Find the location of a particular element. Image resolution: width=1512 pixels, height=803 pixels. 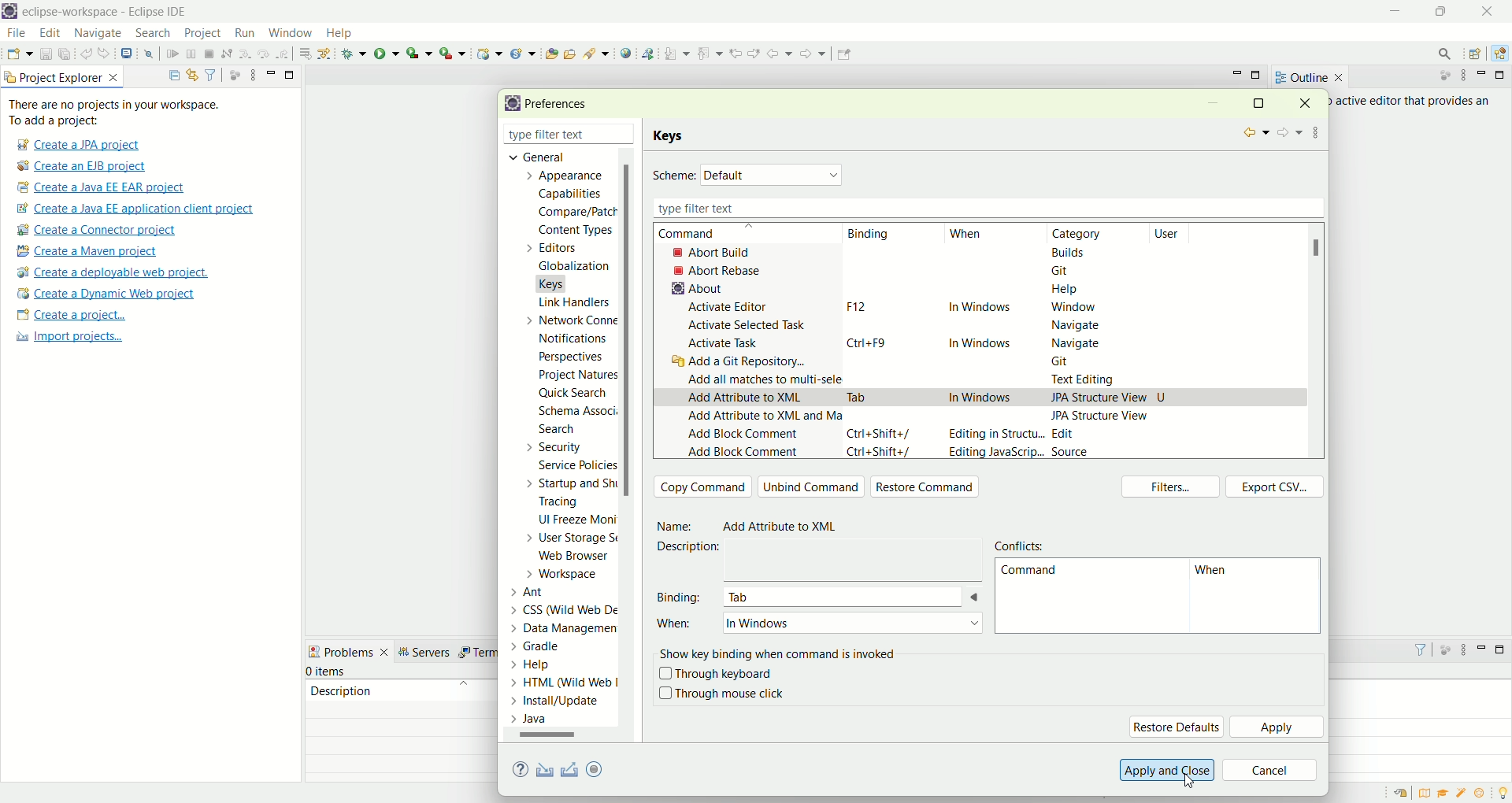

unbind command is located at coordinates (812, 487).